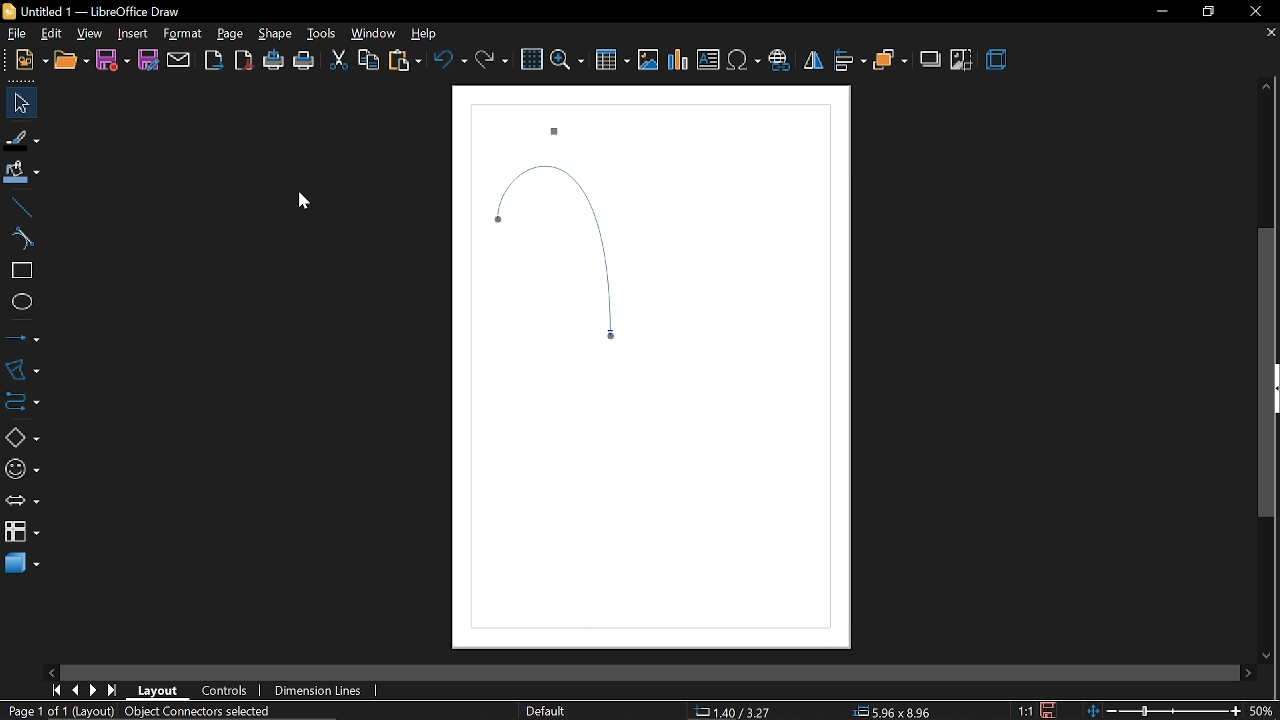 The width and height of the screenshot is (1280, 720). What do you see at coordinates (929, 59) in the screenshot?
I see `shadow` at bounding box center [929, 59].